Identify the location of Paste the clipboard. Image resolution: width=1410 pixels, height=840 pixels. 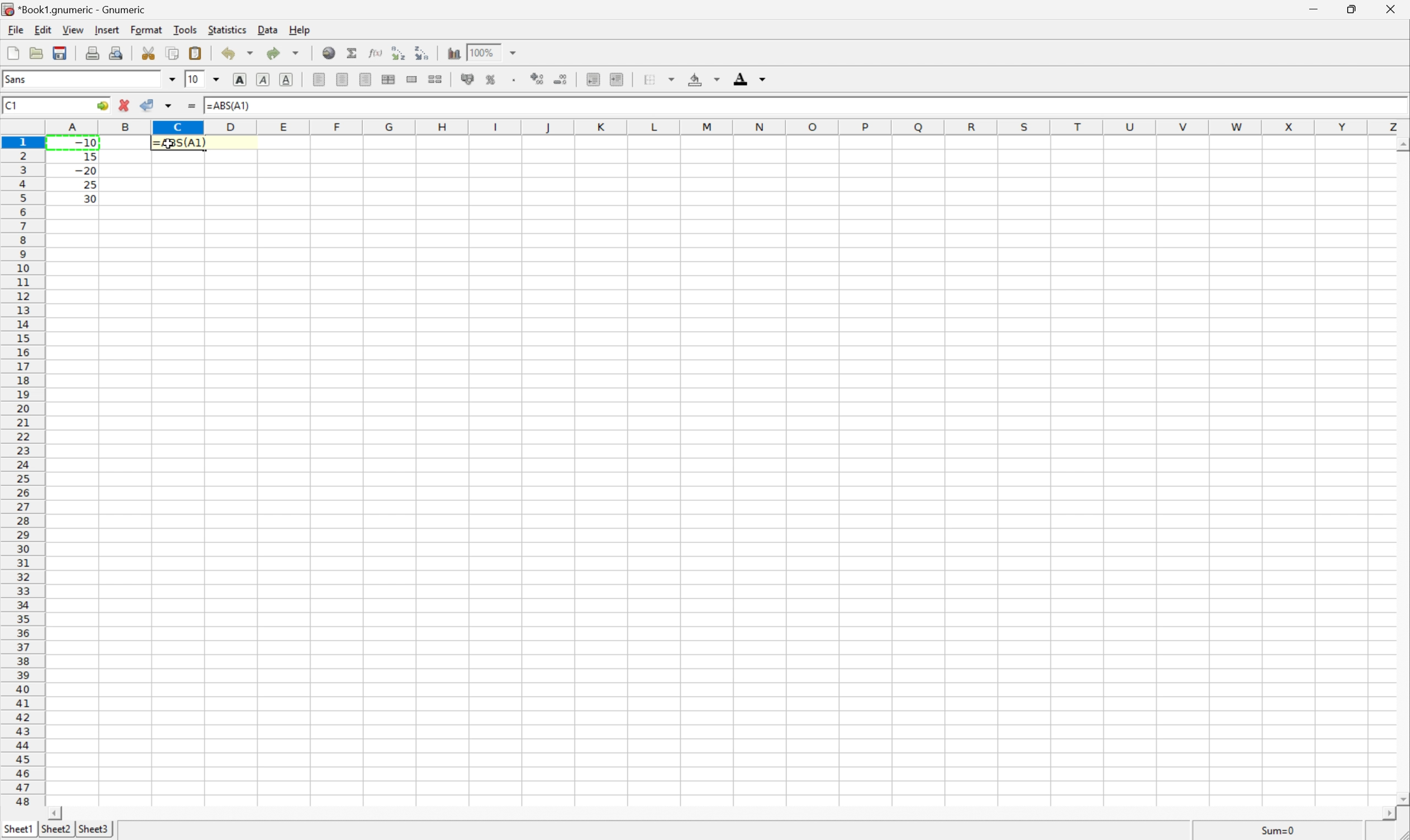
(198, 53).